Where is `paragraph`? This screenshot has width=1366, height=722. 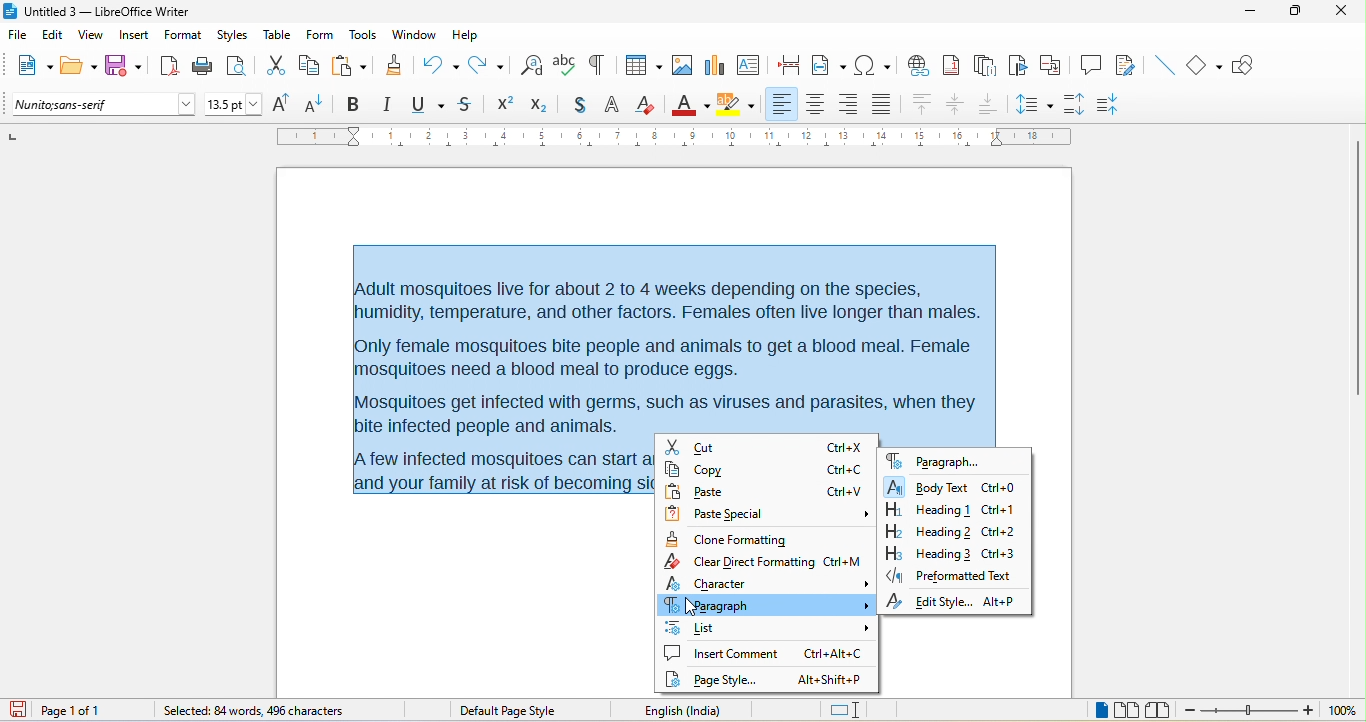
paragraph is located at coordinates (934, 460).